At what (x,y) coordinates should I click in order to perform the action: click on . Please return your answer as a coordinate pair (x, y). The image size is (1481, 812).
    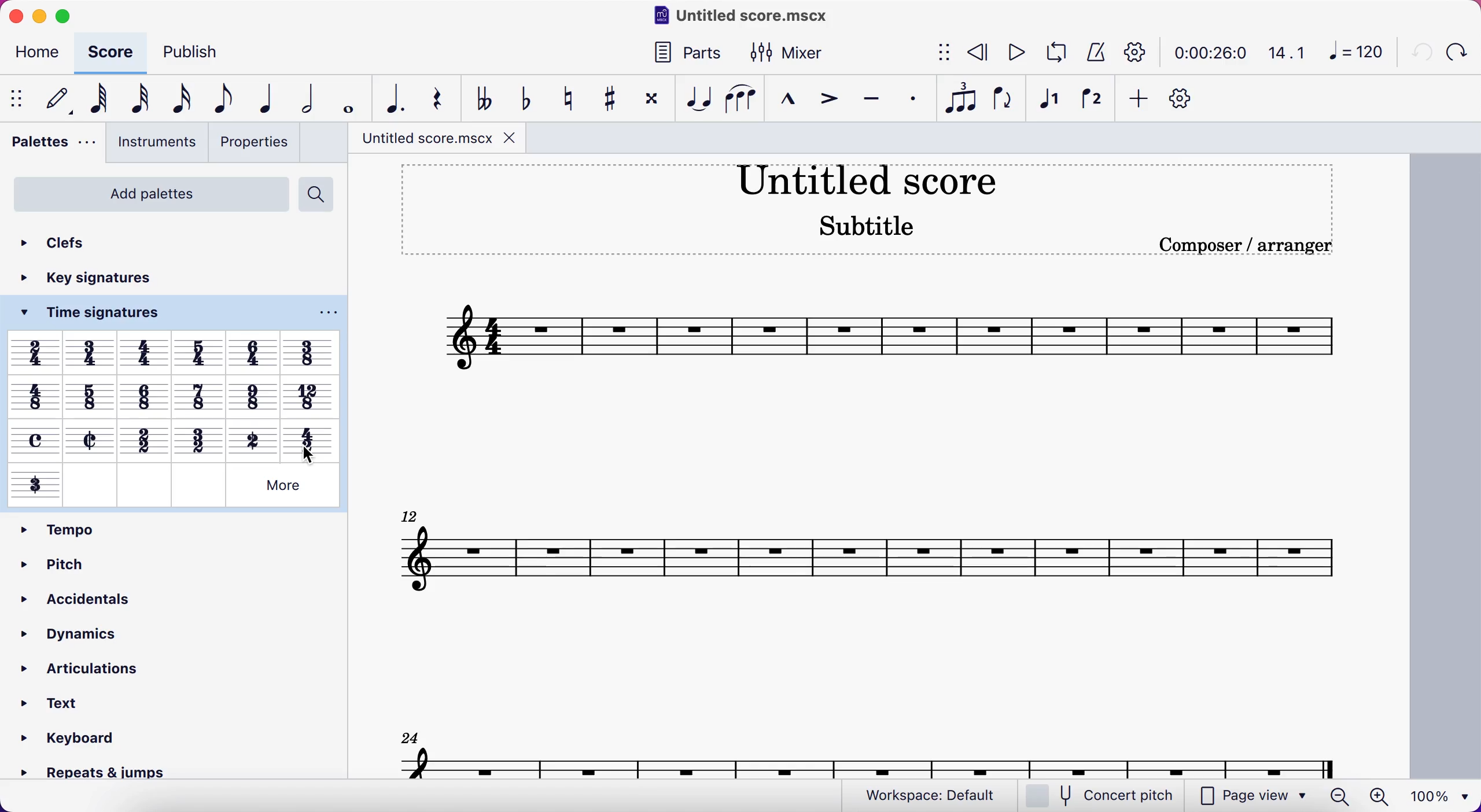
    Looking at the image, I should click on (90, 395).